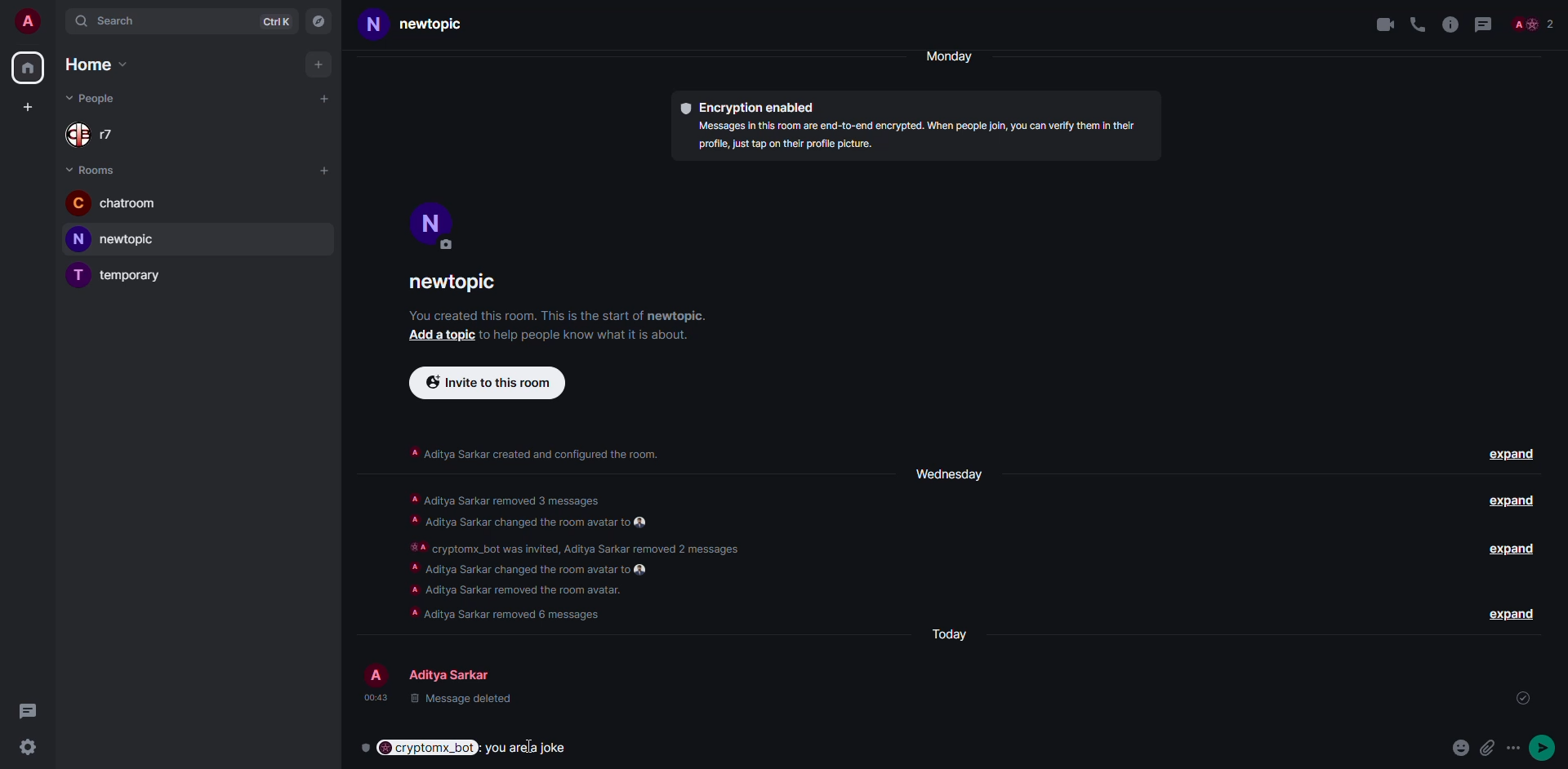 This screenshot has width=1568, height=769. Describe the element at coordinates (1414, 22) in the screenshot. I see `voice` at that location.